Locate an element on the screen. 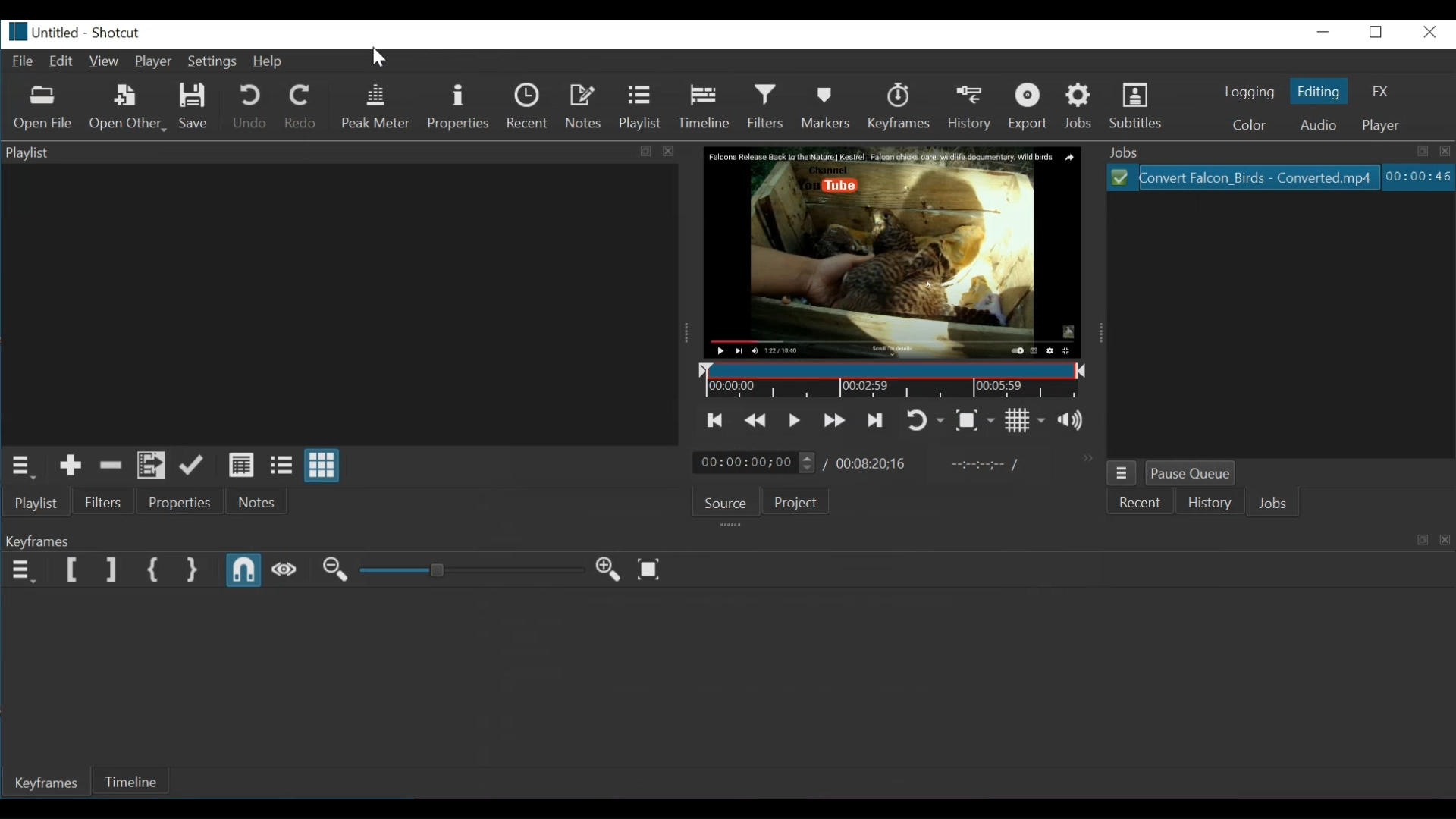  Set Second Simple Keyframe is located at coordinates (192, 571).